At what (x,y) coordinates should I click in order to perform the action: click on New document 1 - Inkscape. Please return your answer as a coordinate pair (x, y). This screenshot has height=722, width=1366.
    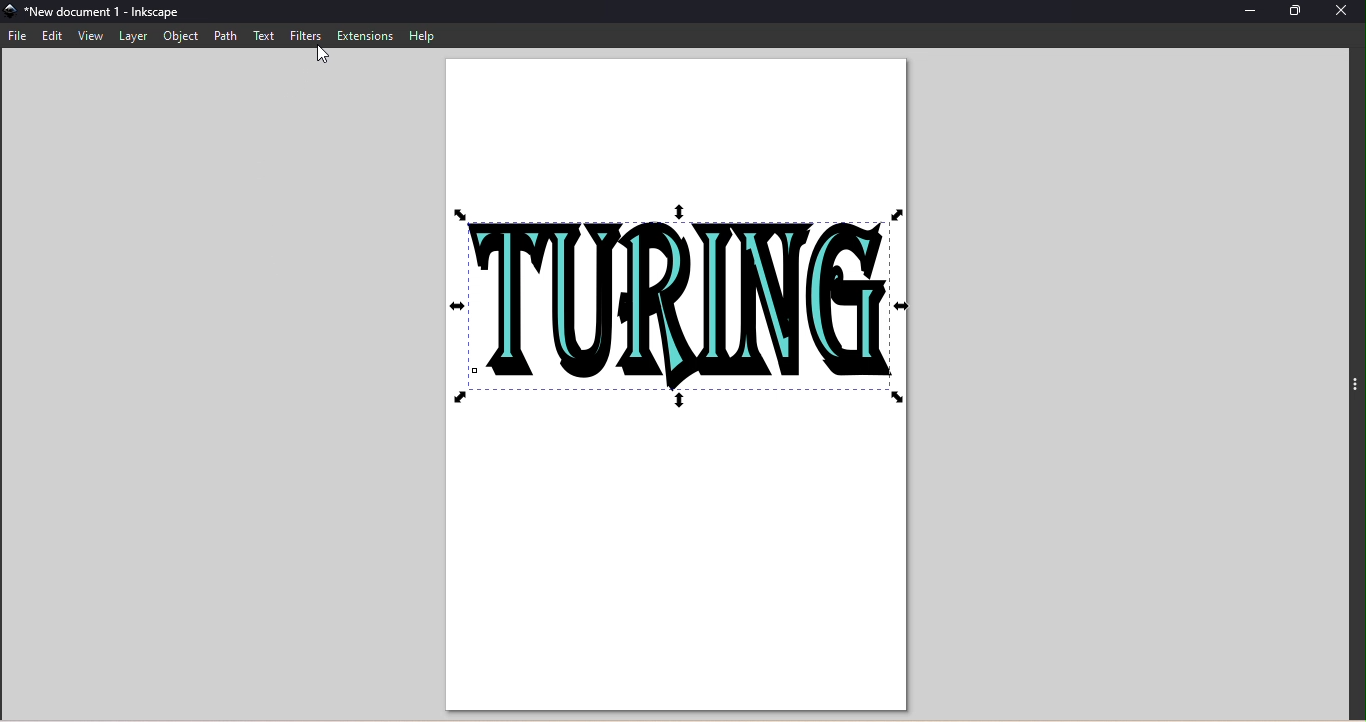
    Looking at the image, I should click on (112, 12).